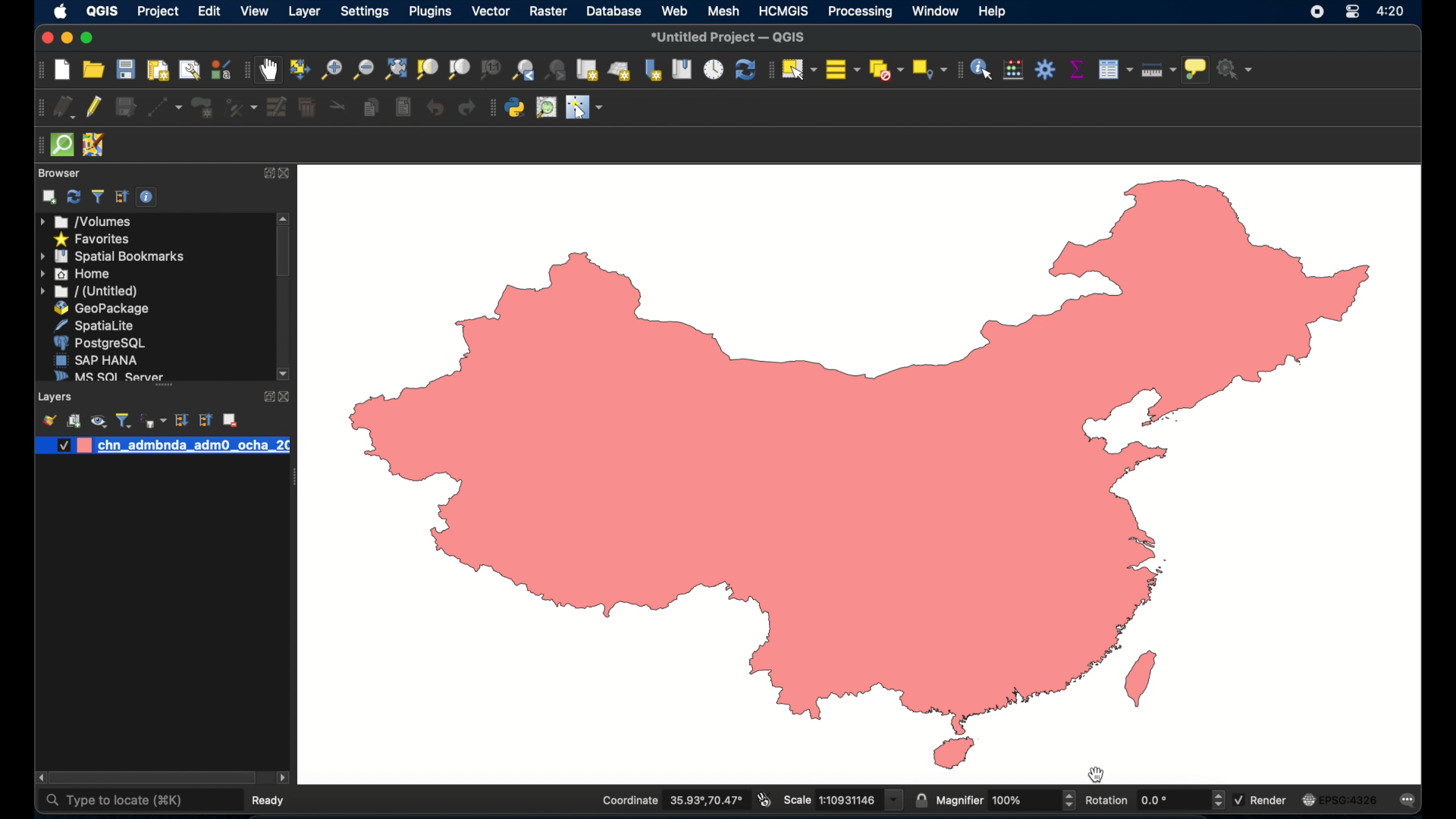  I want to click on collapse, so click(204, 420).